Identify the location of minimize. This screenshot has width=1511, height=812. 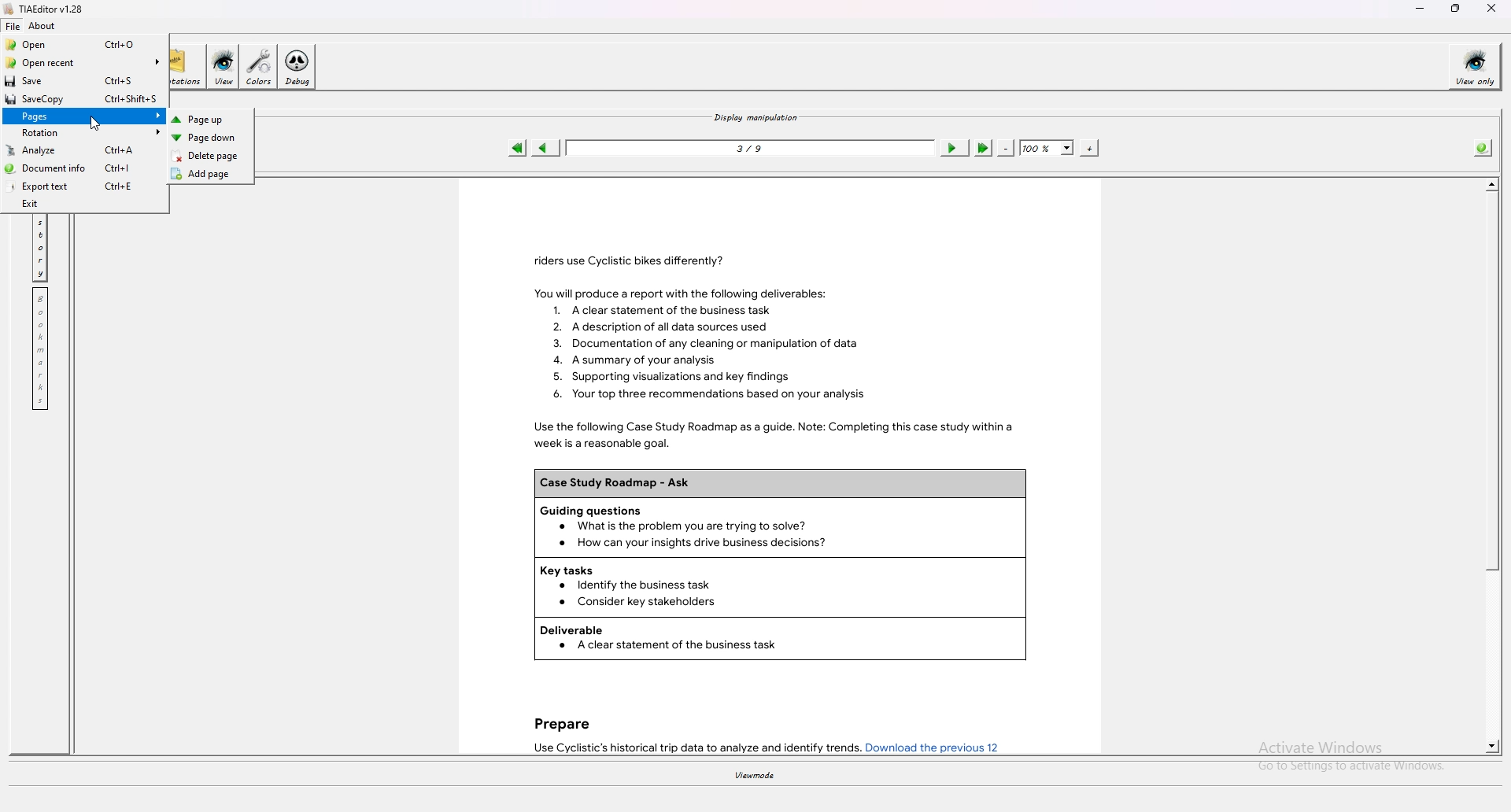
(1420, 9).